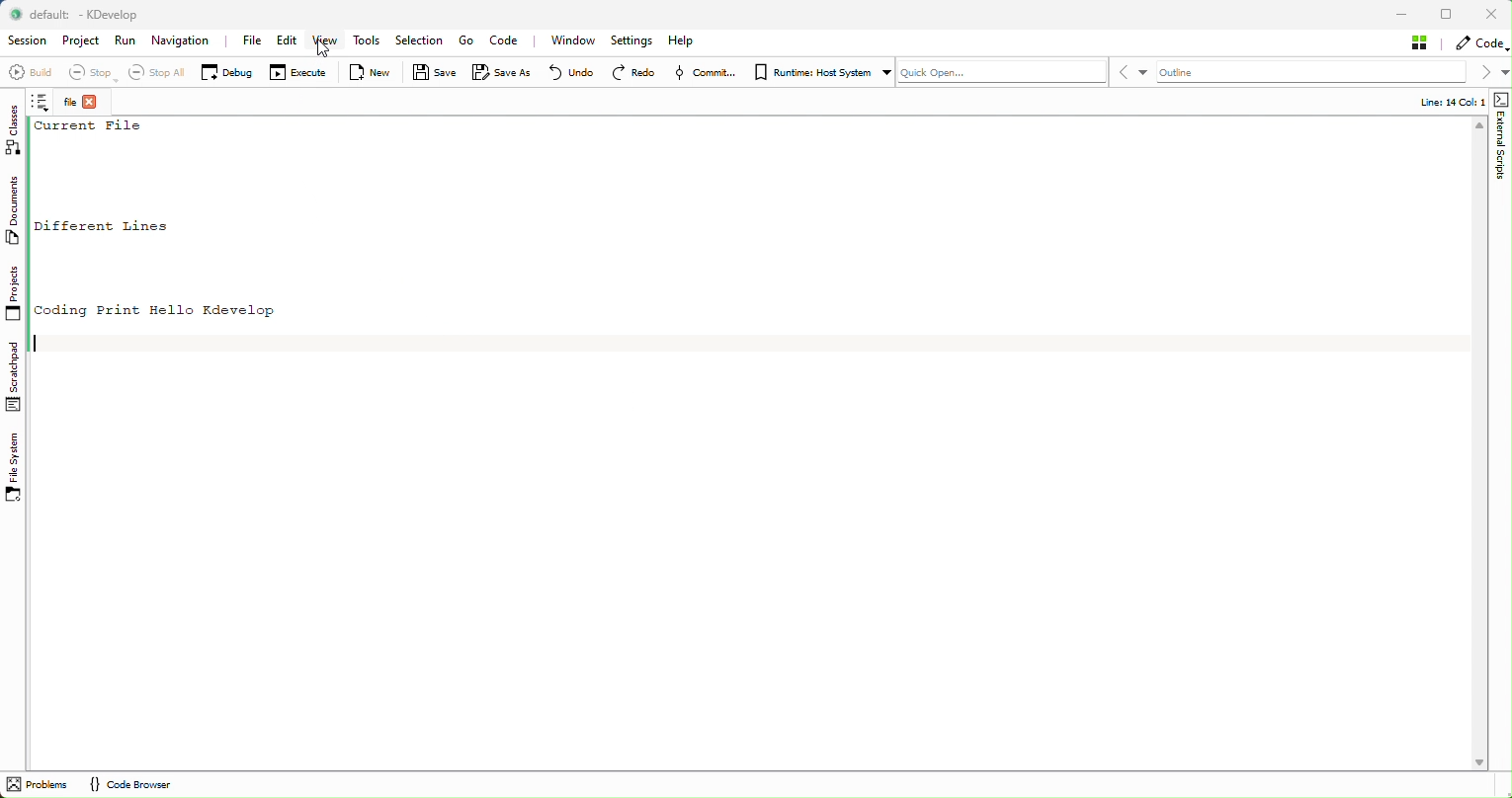  Describe the element at coordinates (151, 72) in the screenshot. I see `Stop all` at that location.